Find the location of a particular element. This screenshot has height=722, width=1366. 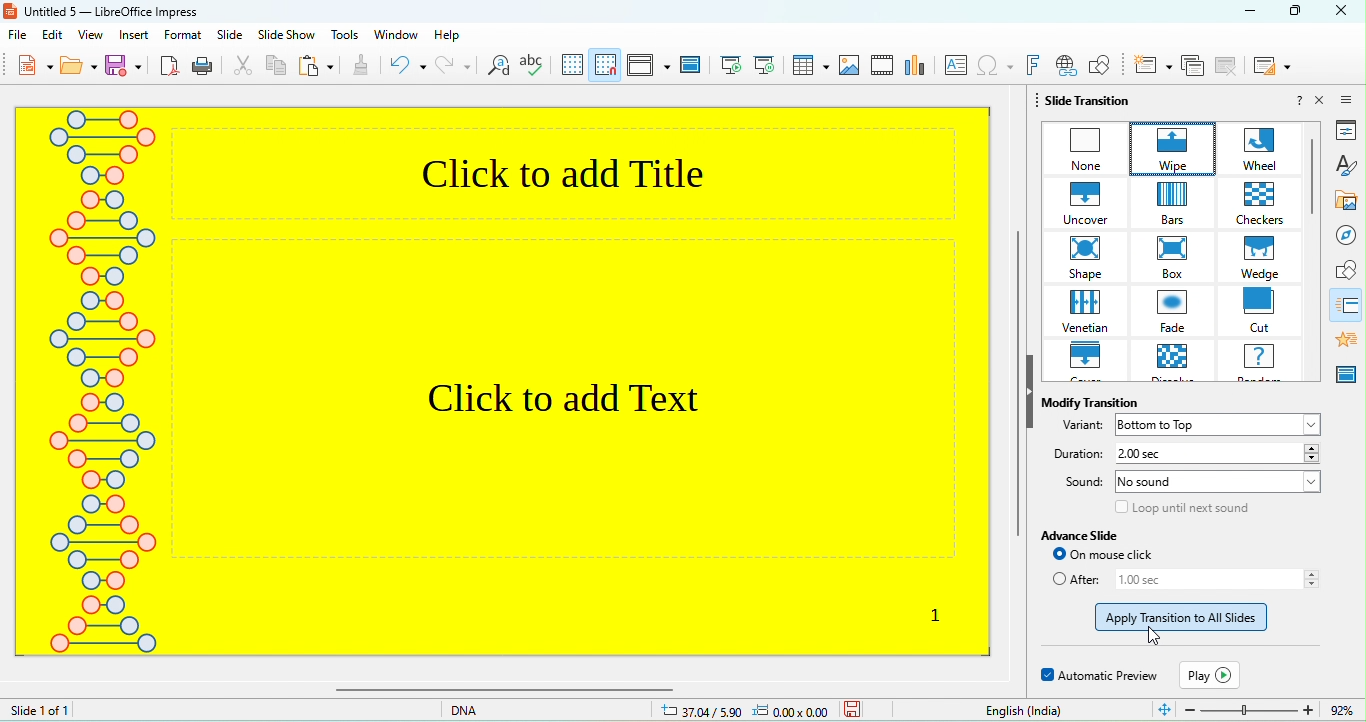

venetian is located at coordinates (1089, 312).